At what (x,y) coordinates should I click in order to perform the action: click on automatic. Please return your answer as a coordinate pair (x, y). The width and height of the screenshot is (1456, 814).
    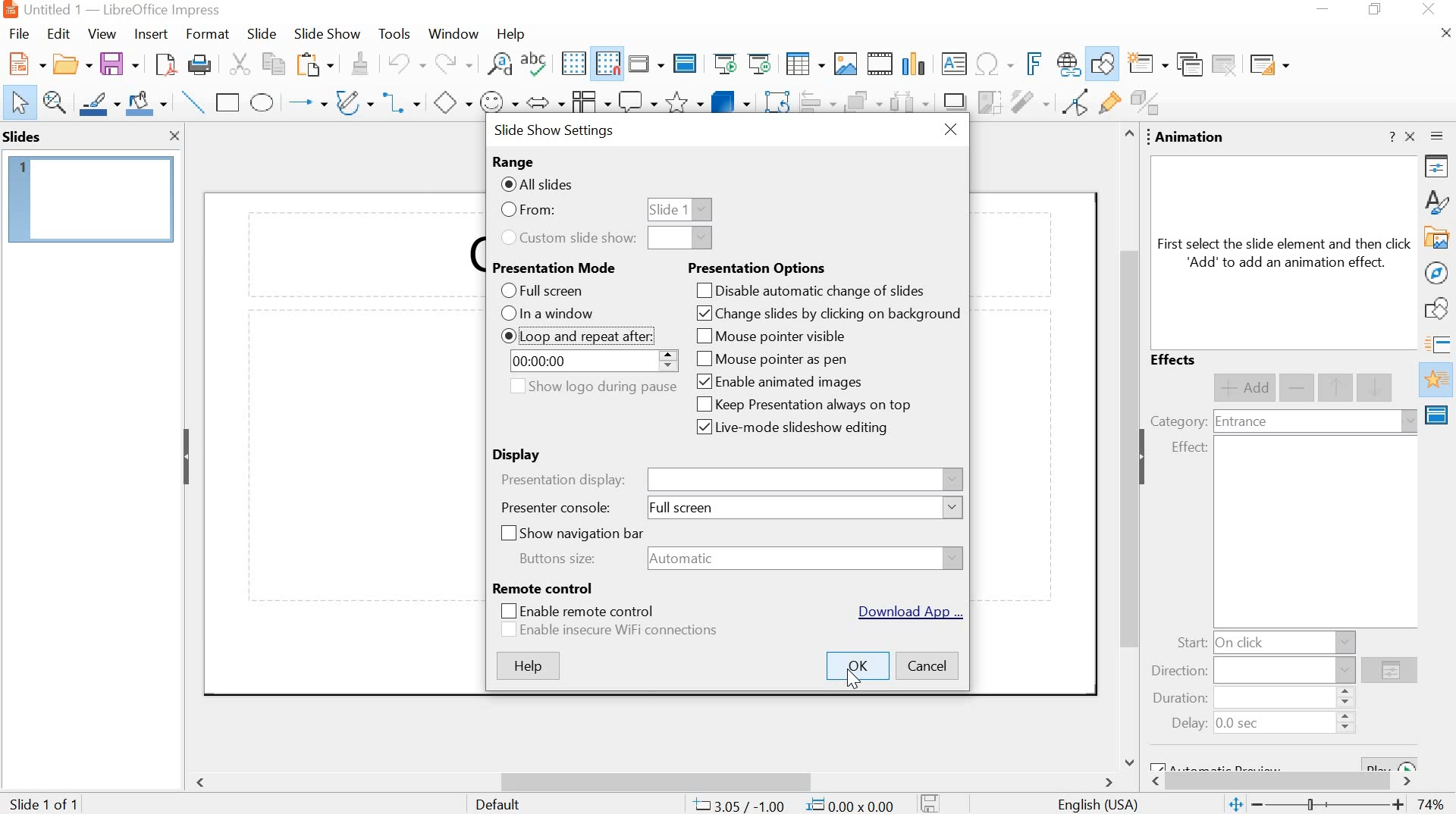
    Looking at the image, I should click on (688, 559).